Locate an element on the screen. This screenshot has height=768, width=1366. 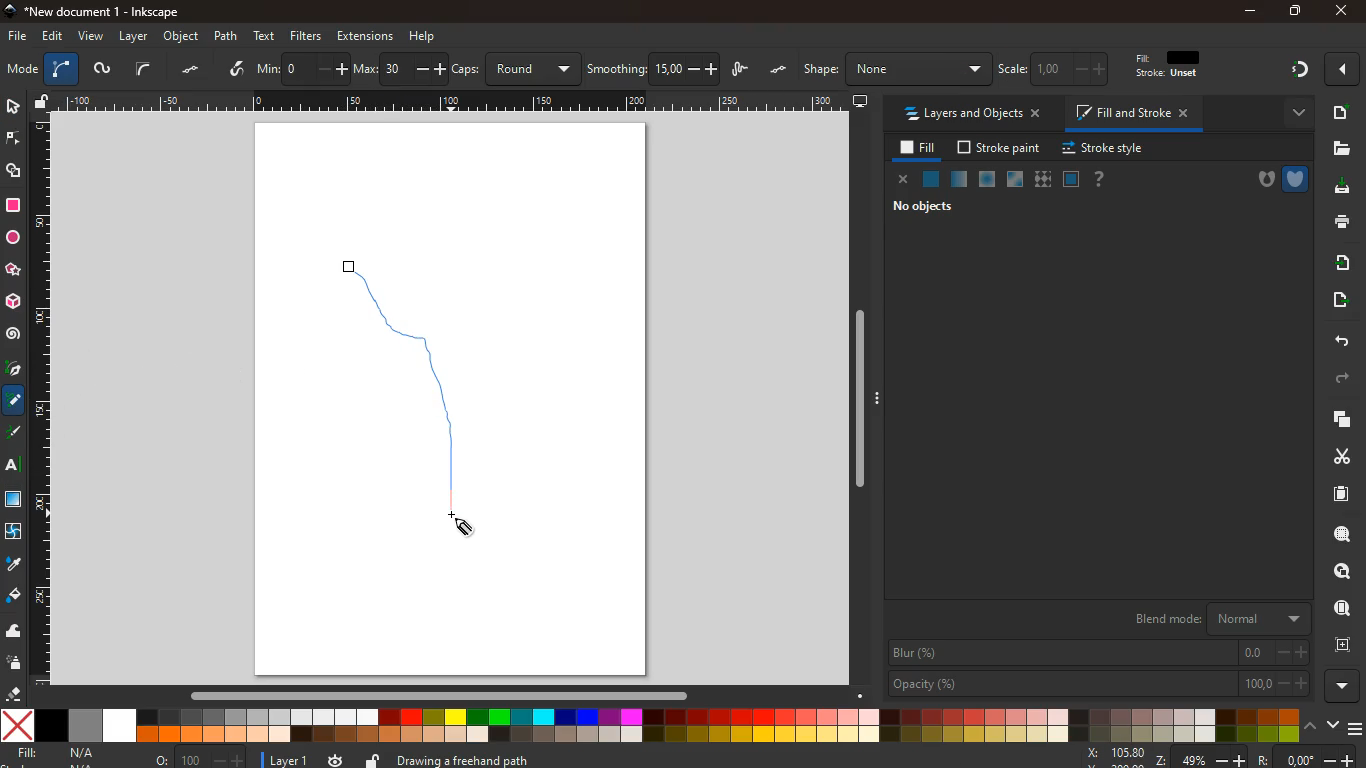
blur is located at coordinates (1099, 653).